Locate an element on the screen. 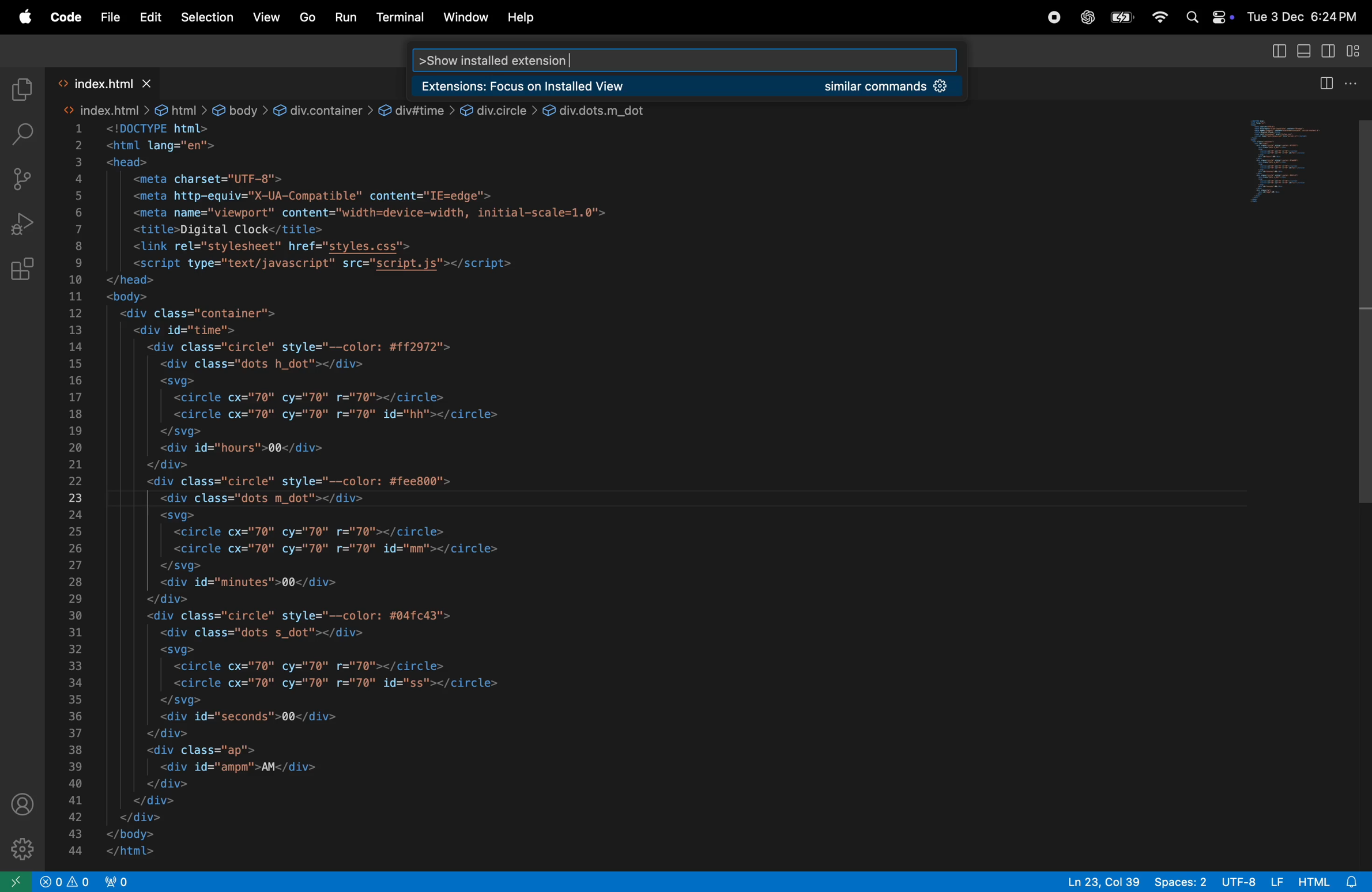 This screenshot has height=892, width=1372. new window is located at coordinates (14, 881).